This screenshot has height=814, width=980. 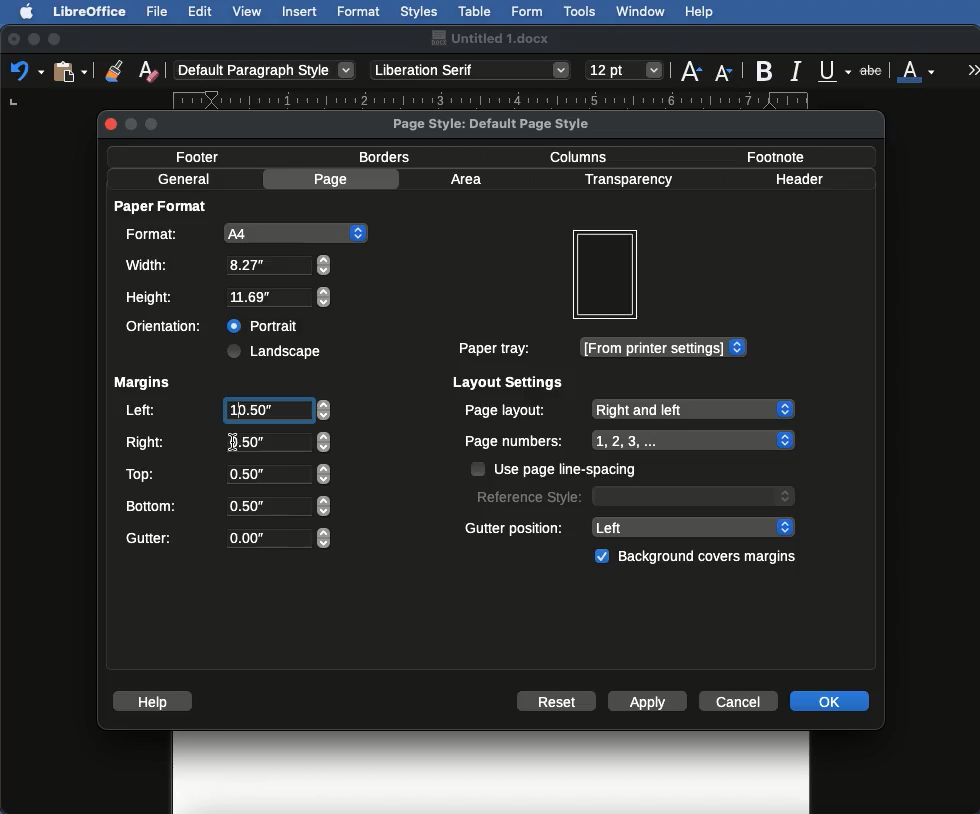 I want to click on Underline, so click(x=836, y=72).